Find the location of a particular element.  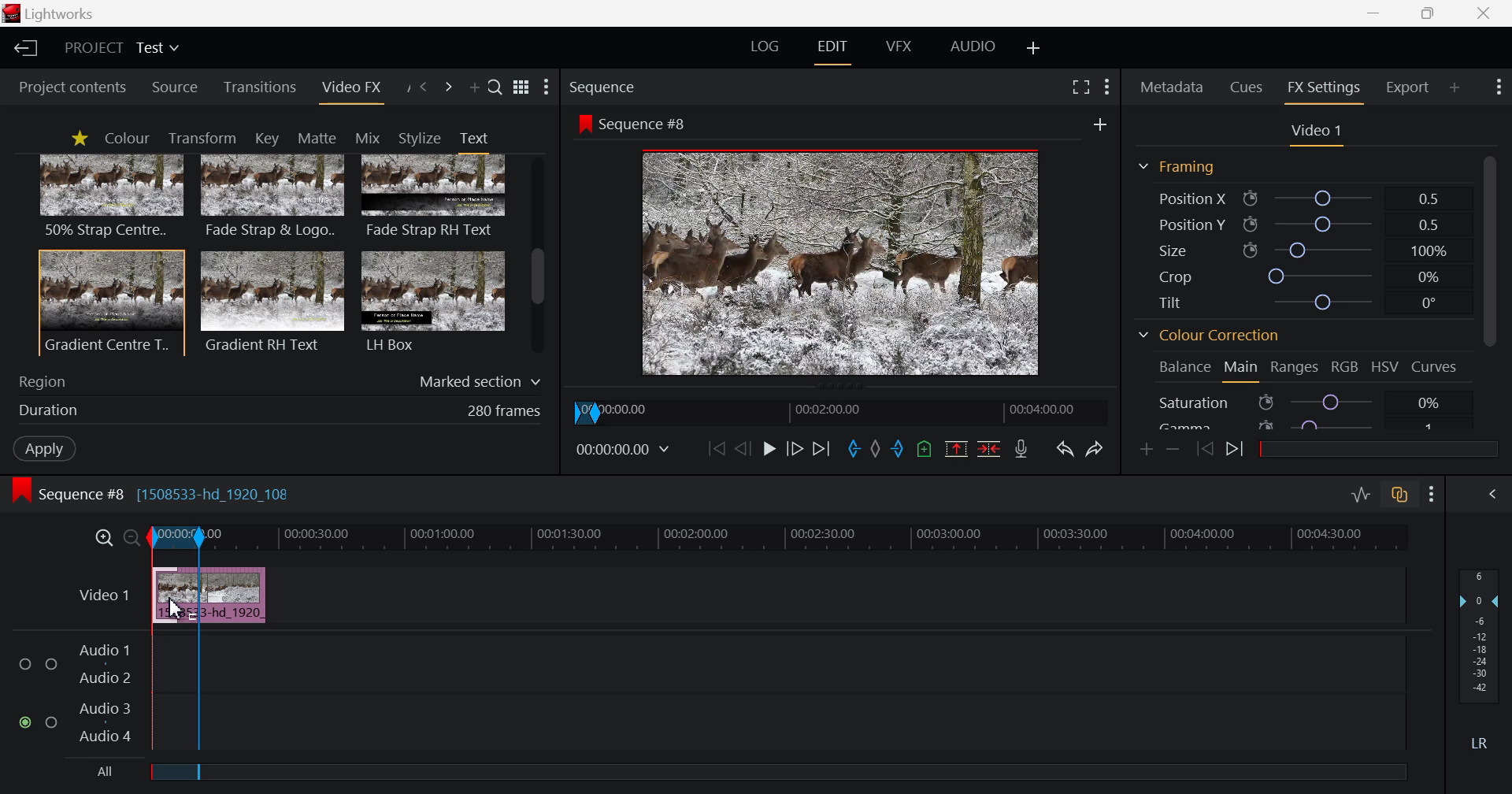

Gradient Centre is located at coordinates (110, 302).